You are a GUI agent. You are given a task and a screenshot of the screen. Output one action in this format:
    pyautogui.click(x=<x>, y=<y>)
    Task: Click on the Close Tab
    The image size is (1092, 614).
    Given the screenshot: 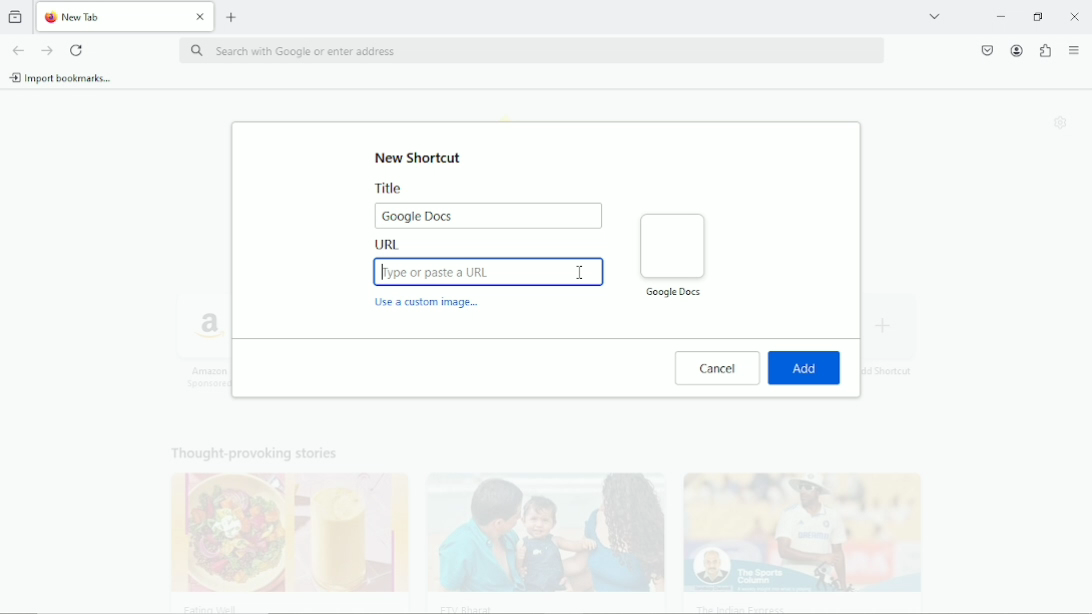 What is the action you would take?
    pyautogui.click(x=201, y=17)
    